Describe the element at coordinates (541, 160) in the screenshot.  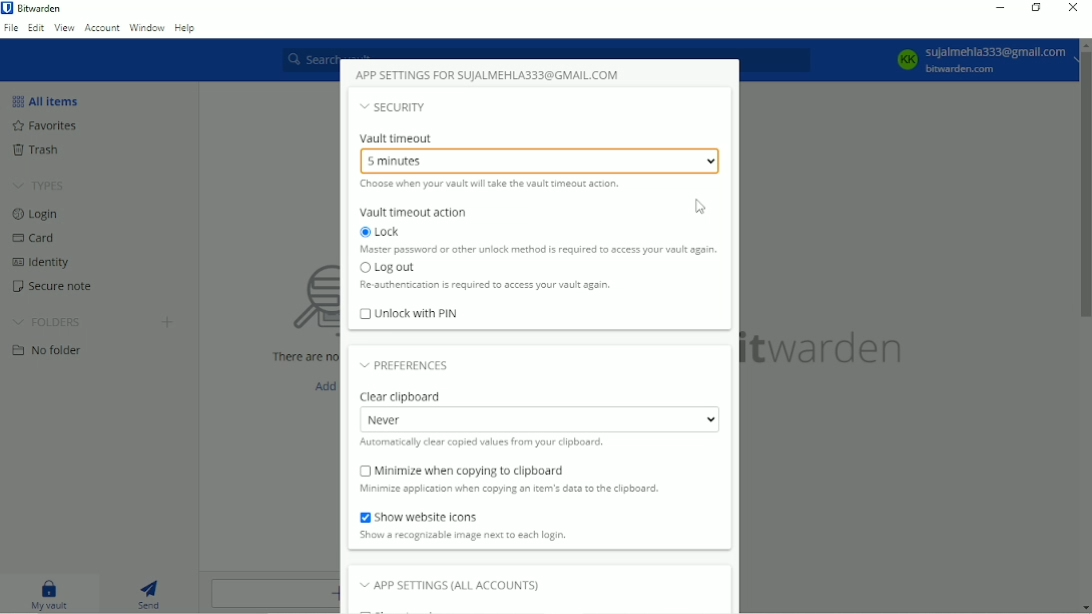
I see `5 minutes ` at that location.